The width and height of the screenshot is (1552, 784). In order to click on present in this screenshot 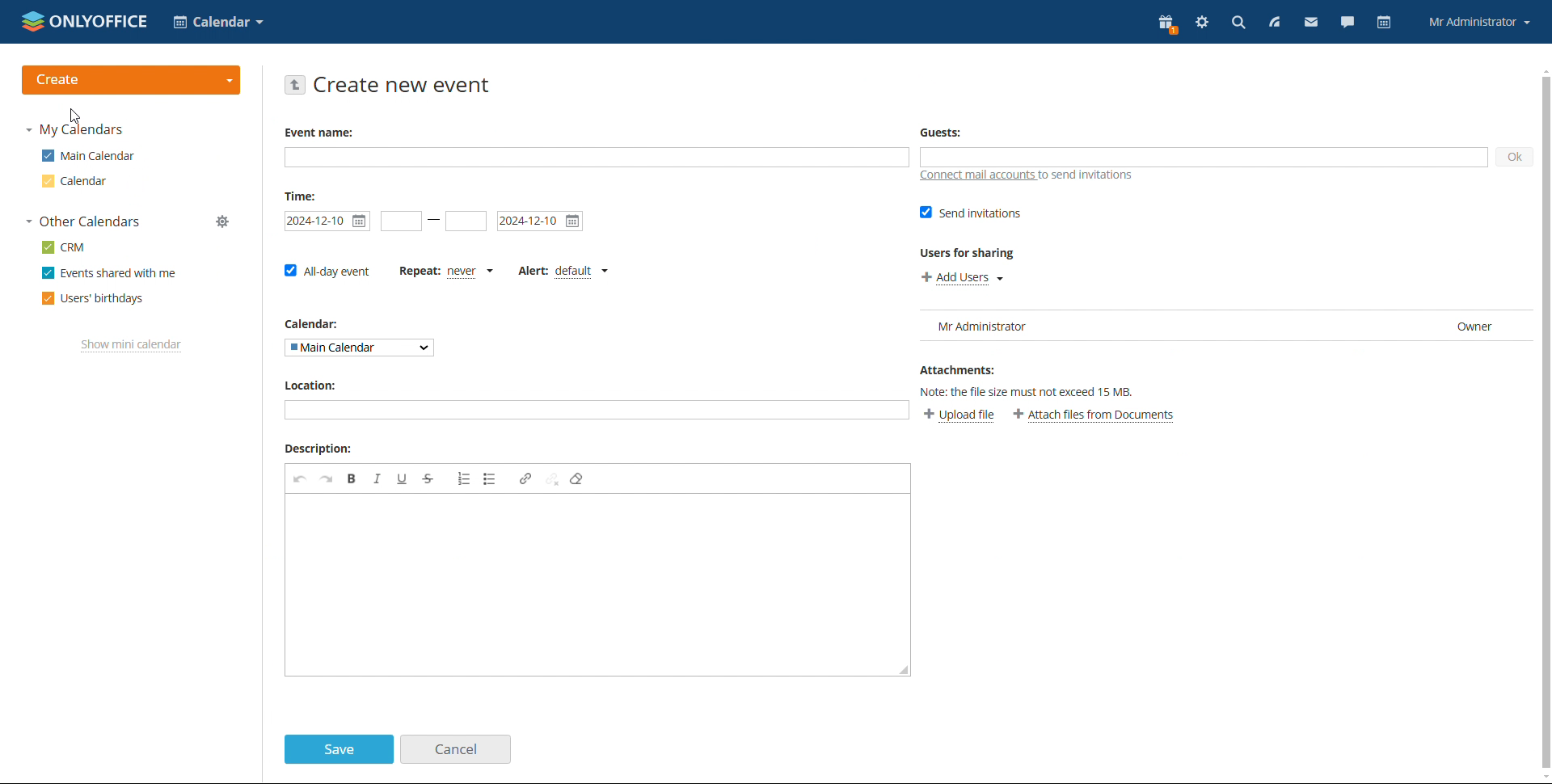, I will do `click(1166, 24)`.